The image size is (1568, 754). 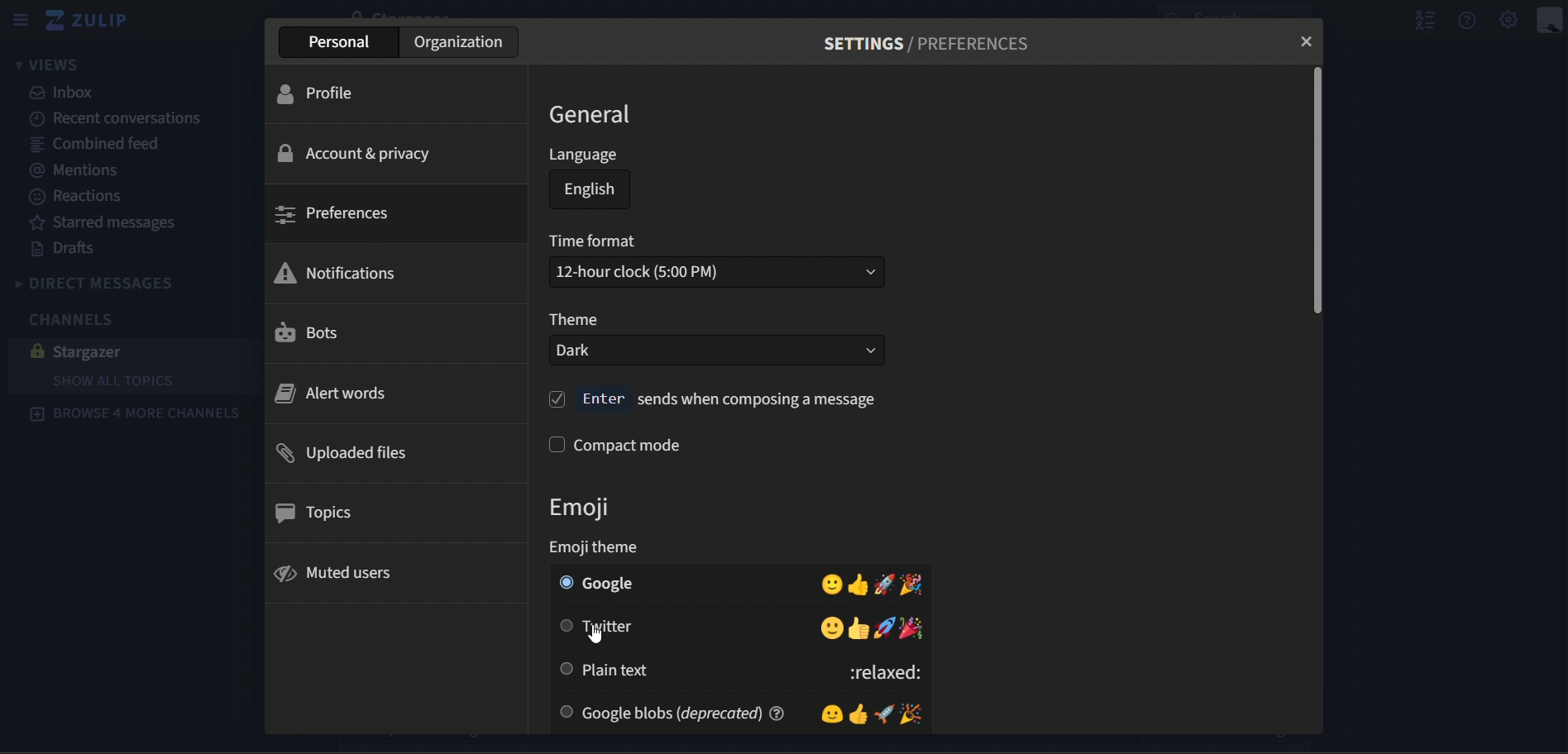 I want to click on mentions, so click(x=84, y=171).